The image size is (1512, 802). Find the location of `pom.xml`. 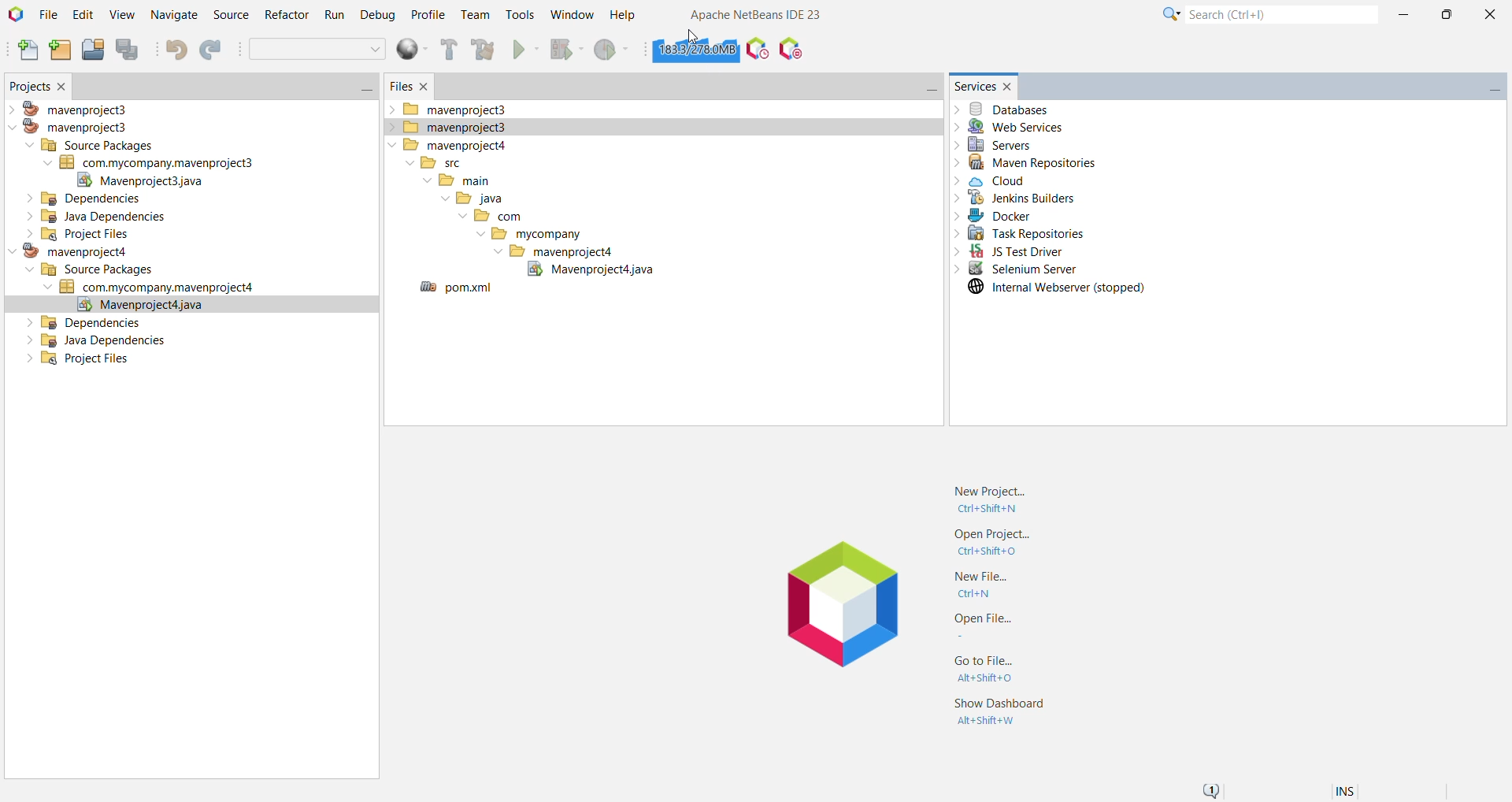

pom.xml is located at coordinates (456, 289).